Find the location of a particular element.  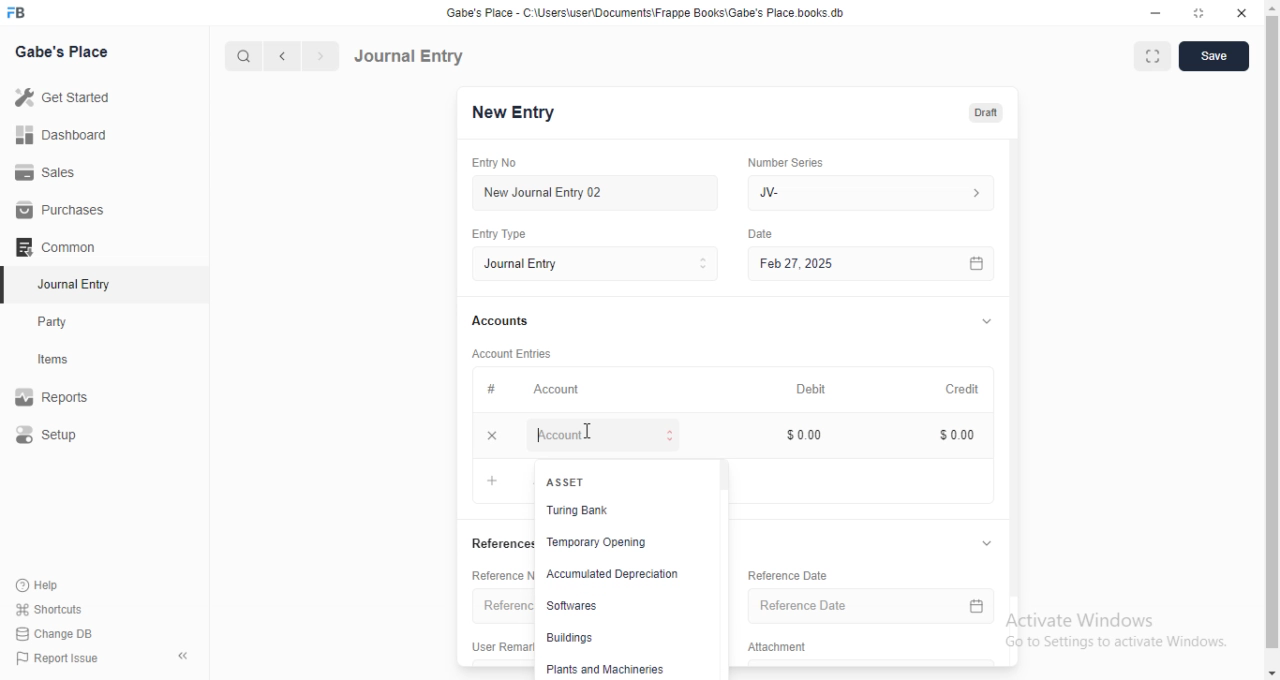

Asset is located at coordinates (569, 482).